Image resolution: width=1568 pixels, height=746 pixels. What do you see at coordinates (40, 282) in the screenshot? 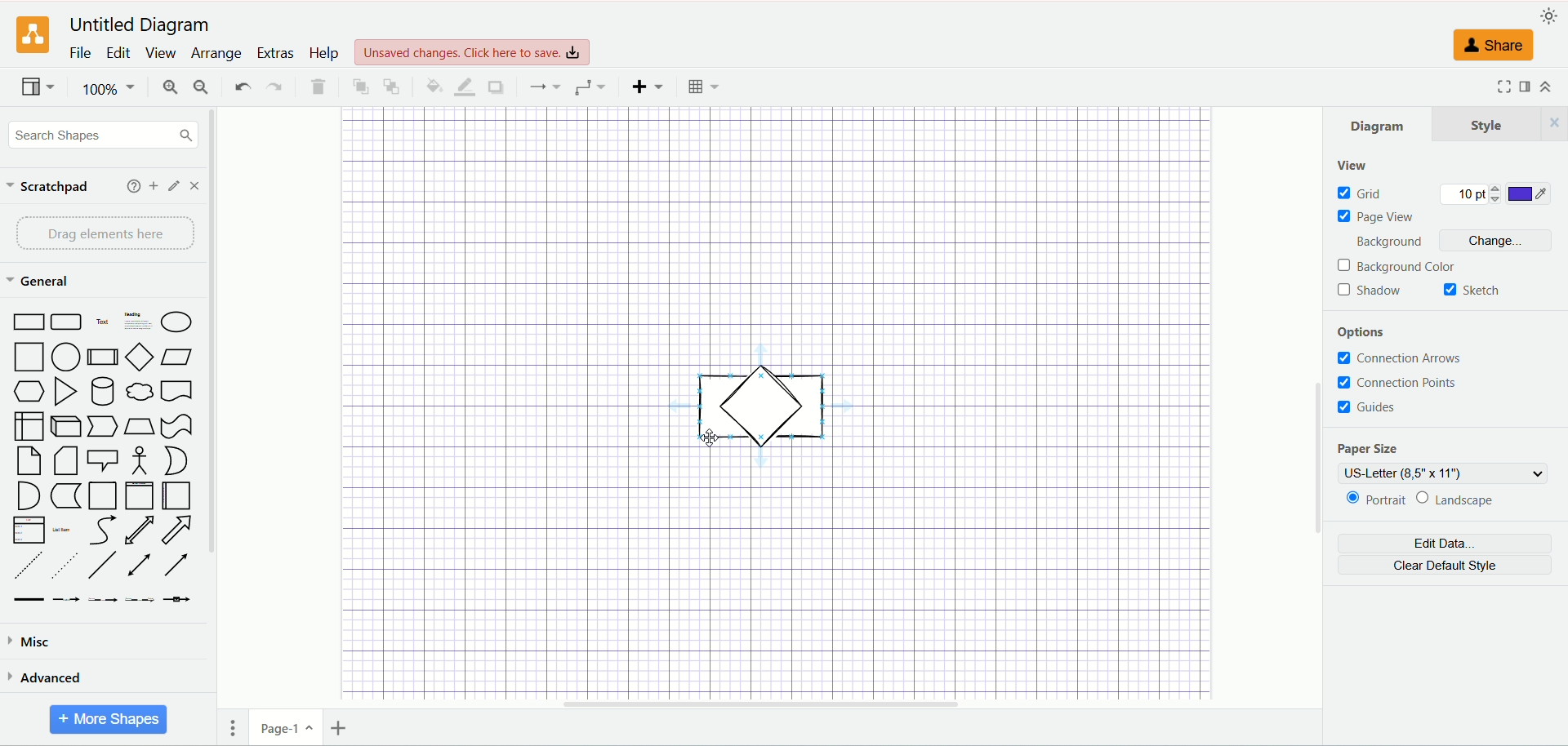
I see `general` at bounding box center [40, 282].